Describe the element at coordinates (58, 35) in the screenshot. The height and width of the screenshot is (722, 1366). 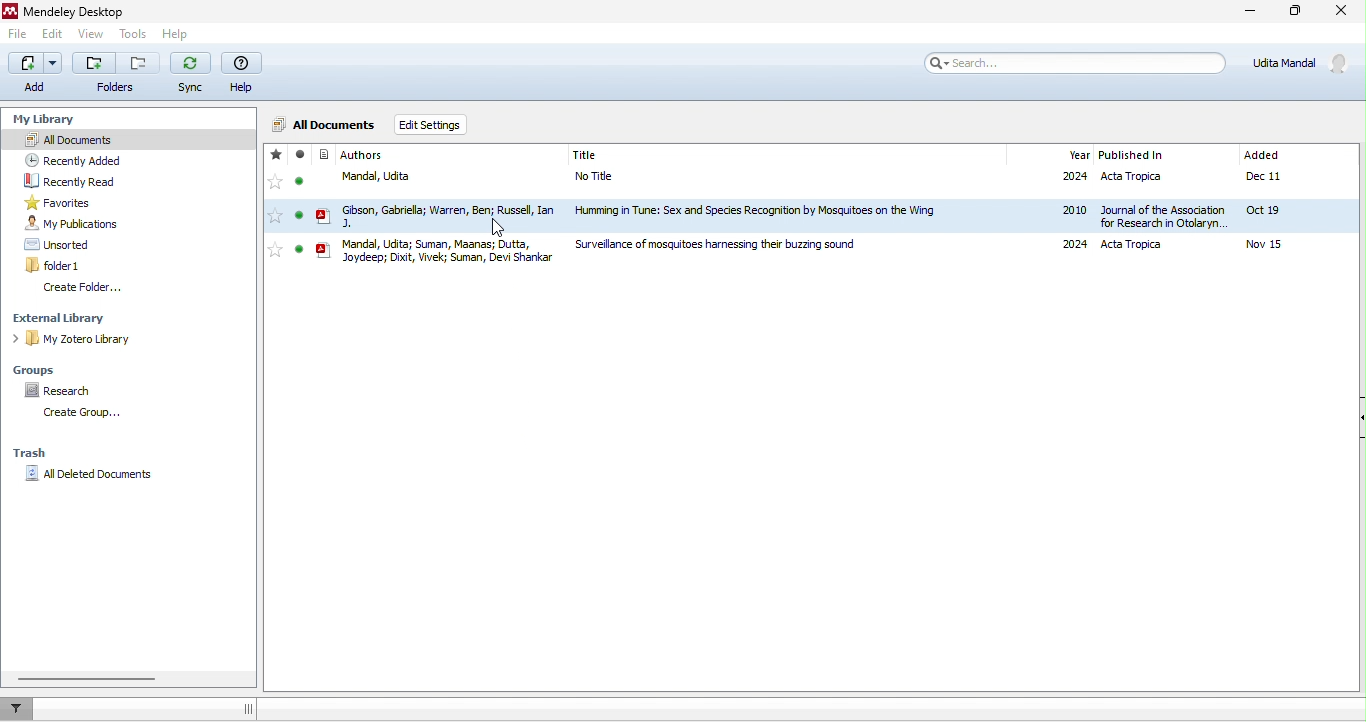
I see `edit` at that location.